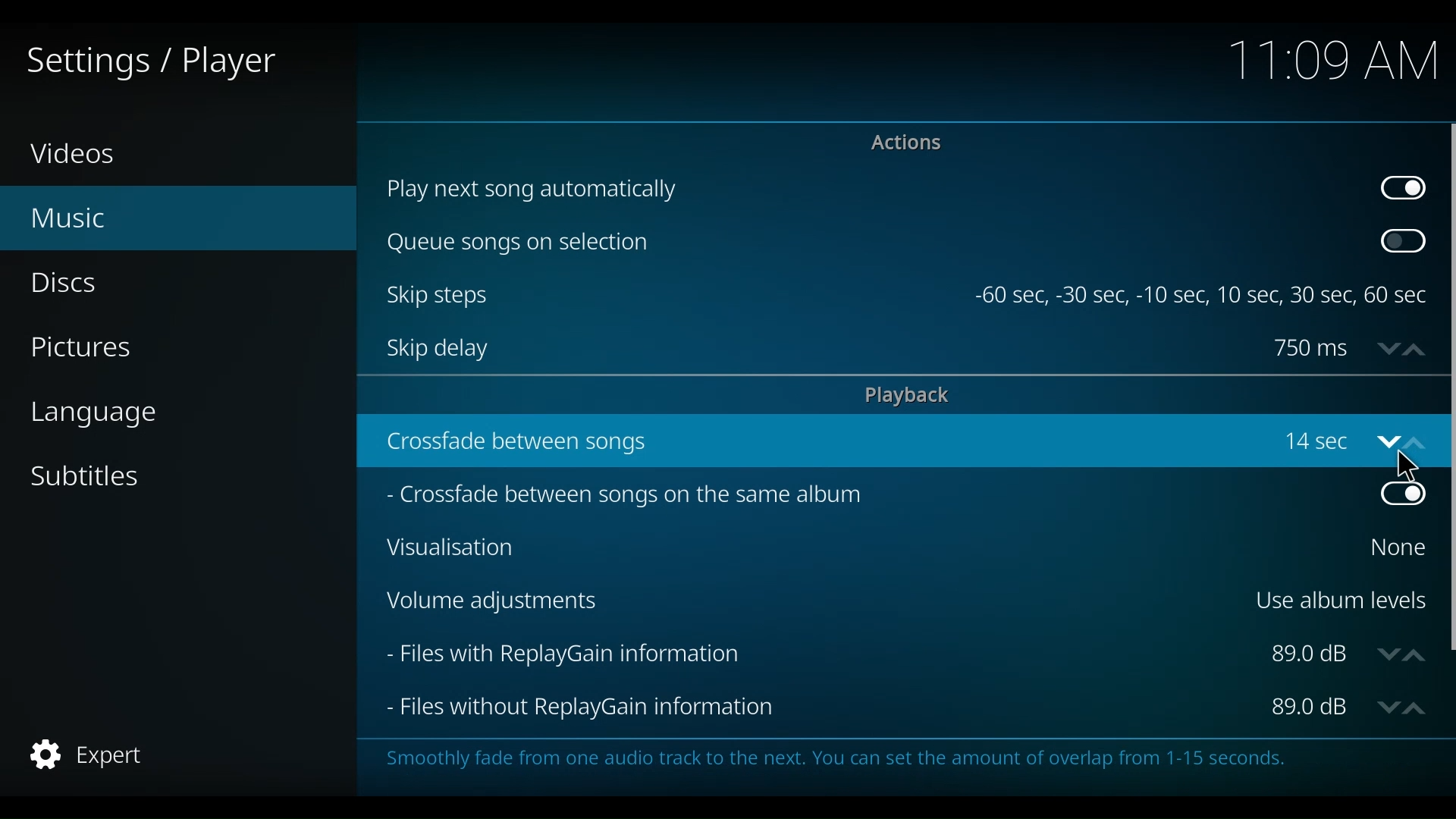 The width and height of the screenshot is (1456, 819). I want to click on expert, so click(83, 755).